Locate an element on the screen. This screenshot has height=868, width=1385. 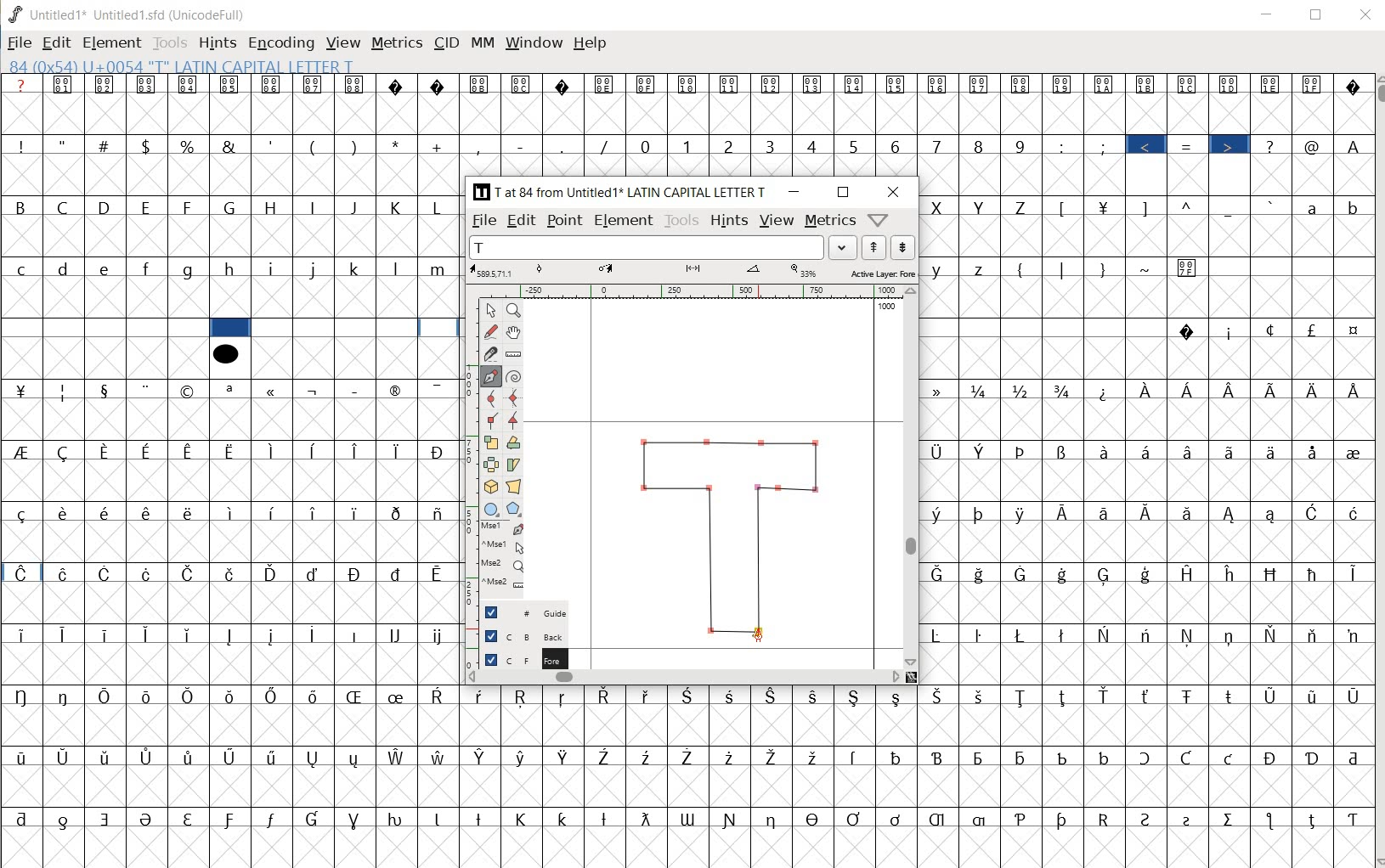
Symbol is located at coordinates (274, 758).